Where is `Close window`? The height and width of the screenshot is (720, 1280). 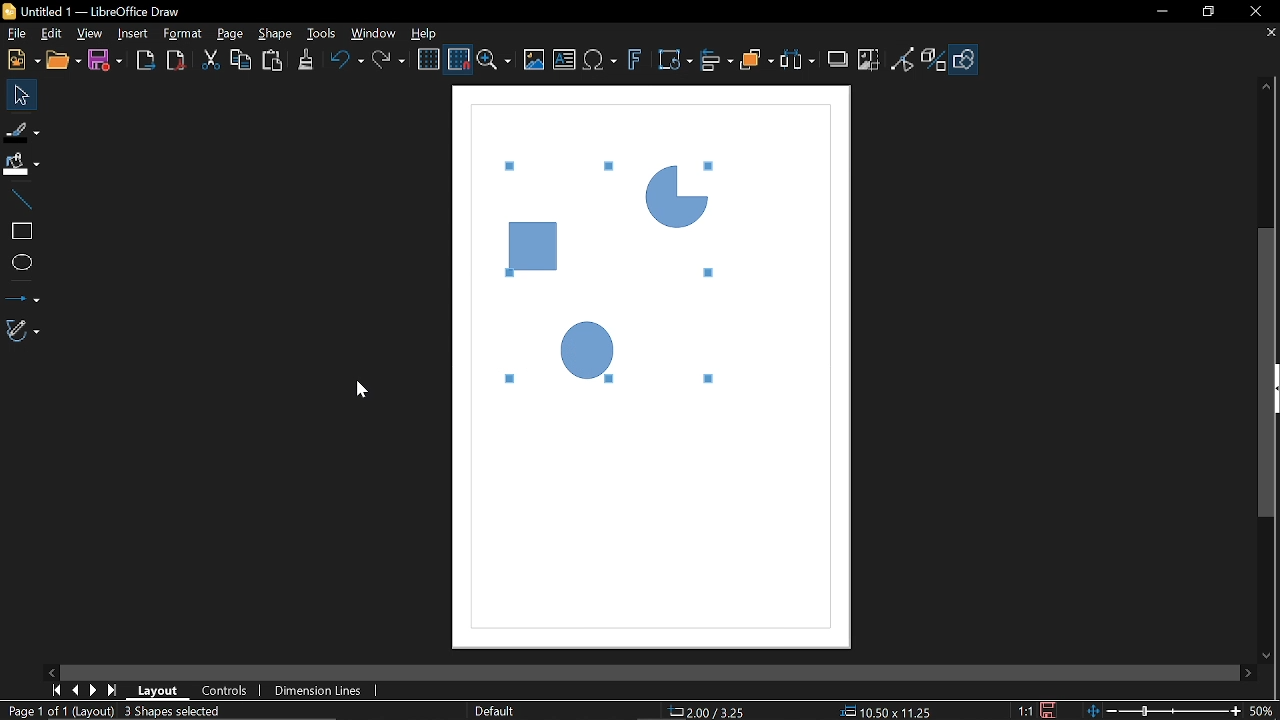
Close window is located at coordinates (1258, 12).